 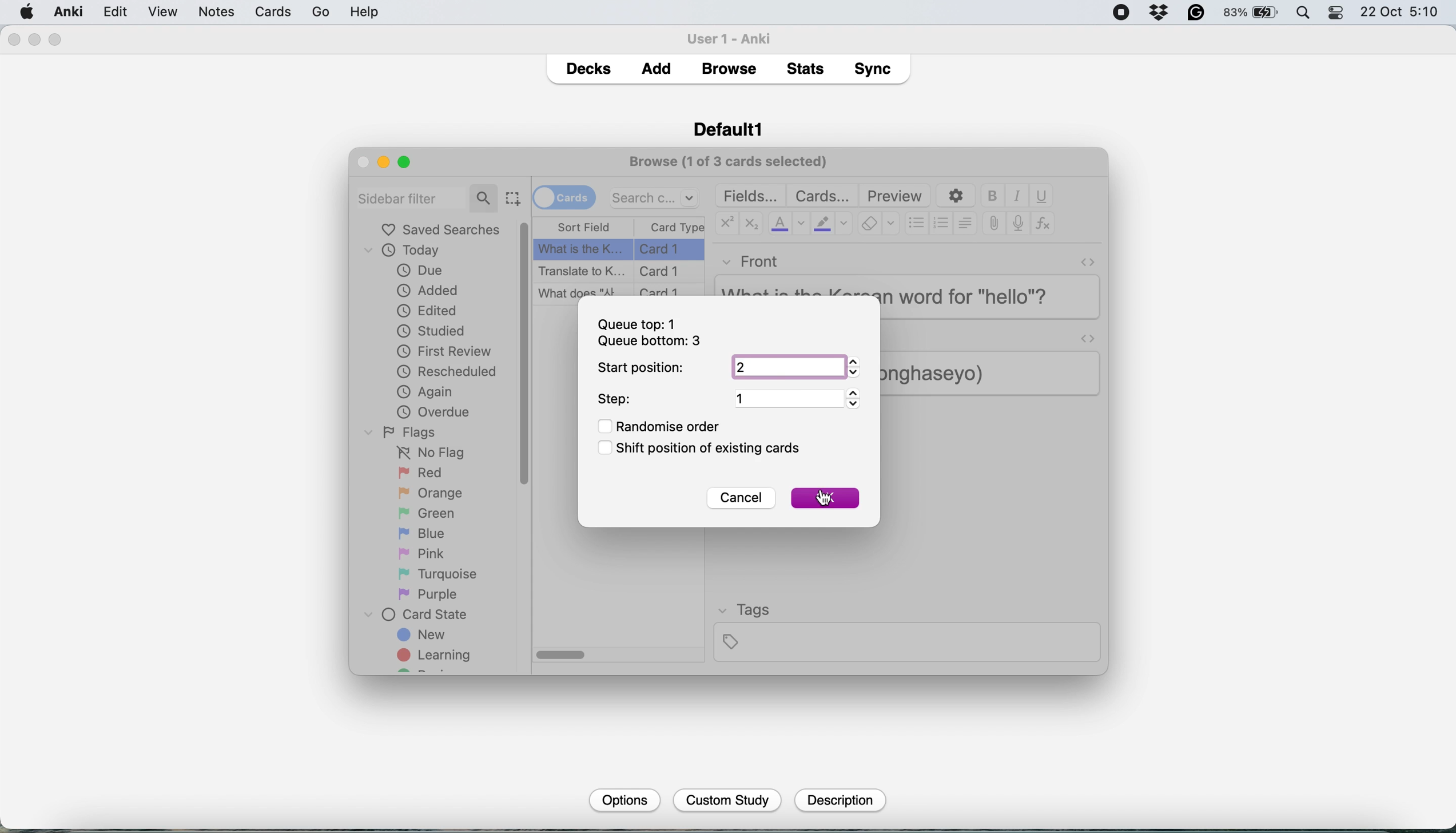 I want to click on control center, so click(x=1337, y=13).